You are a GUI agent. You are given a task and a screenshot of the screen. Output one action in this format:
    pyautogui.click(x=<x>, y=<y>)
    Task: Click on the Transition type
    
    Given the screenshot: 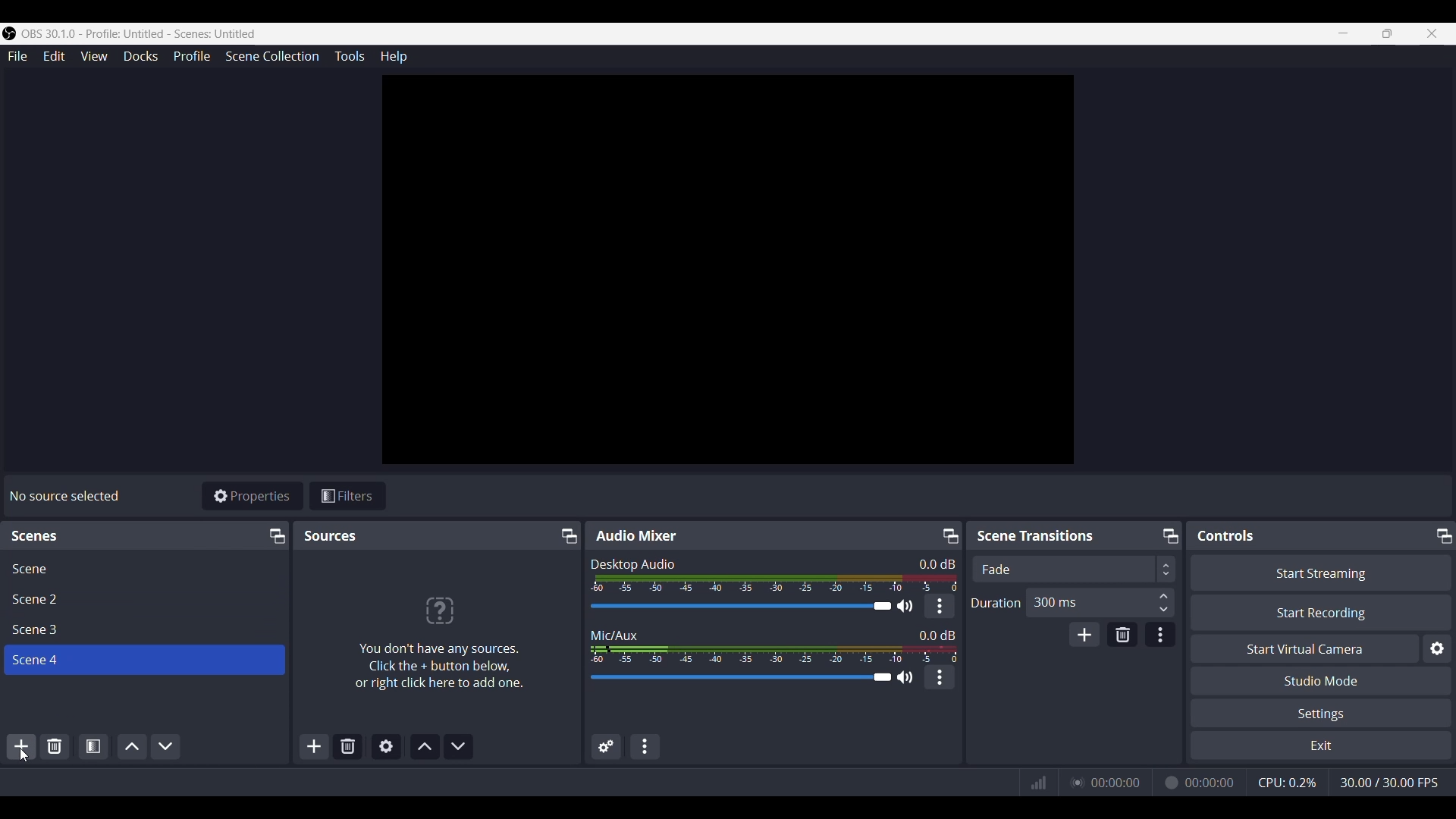 What is the action you would take?
    pyautogui.click(x=1072, y=570)
    